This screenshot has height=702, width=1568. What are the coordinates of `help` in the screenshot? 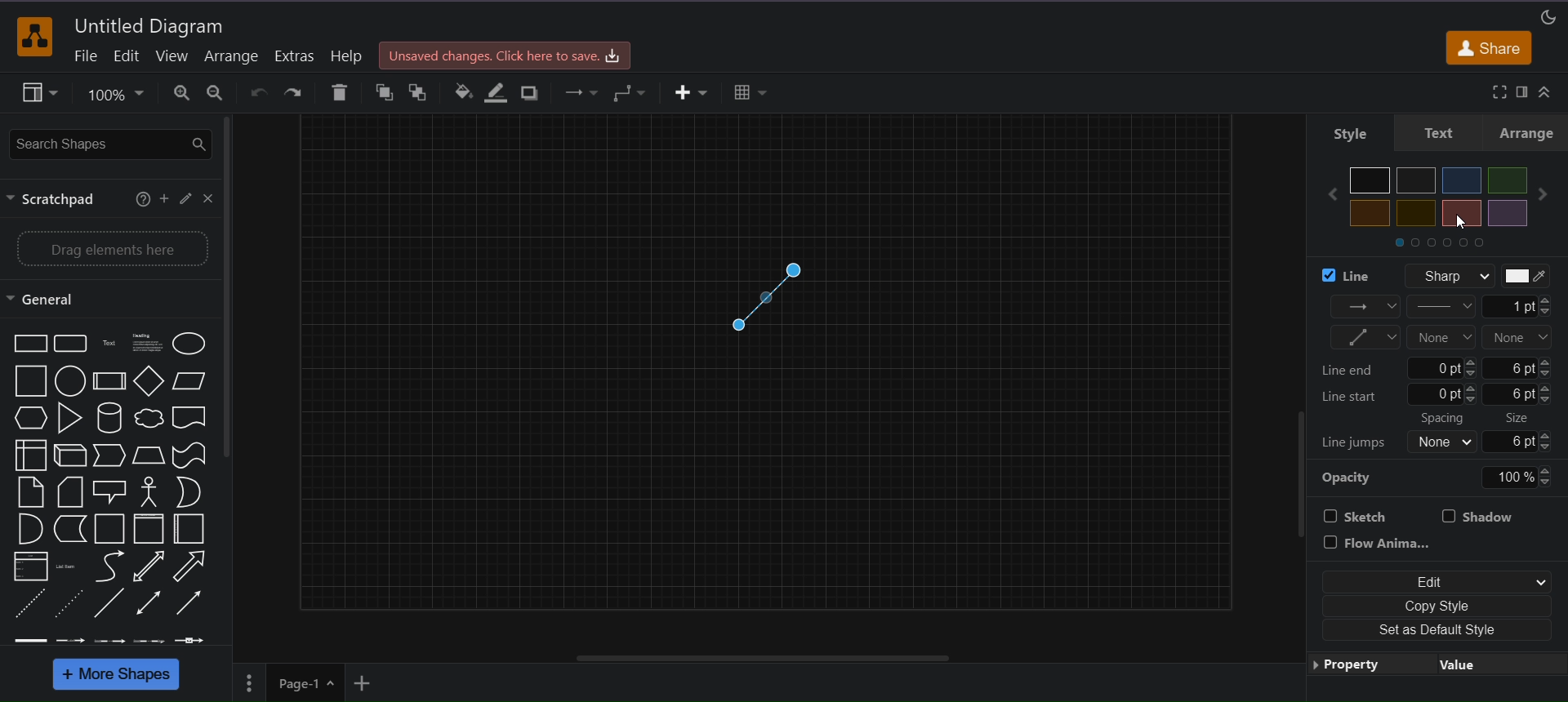 It's located at (346, 55).